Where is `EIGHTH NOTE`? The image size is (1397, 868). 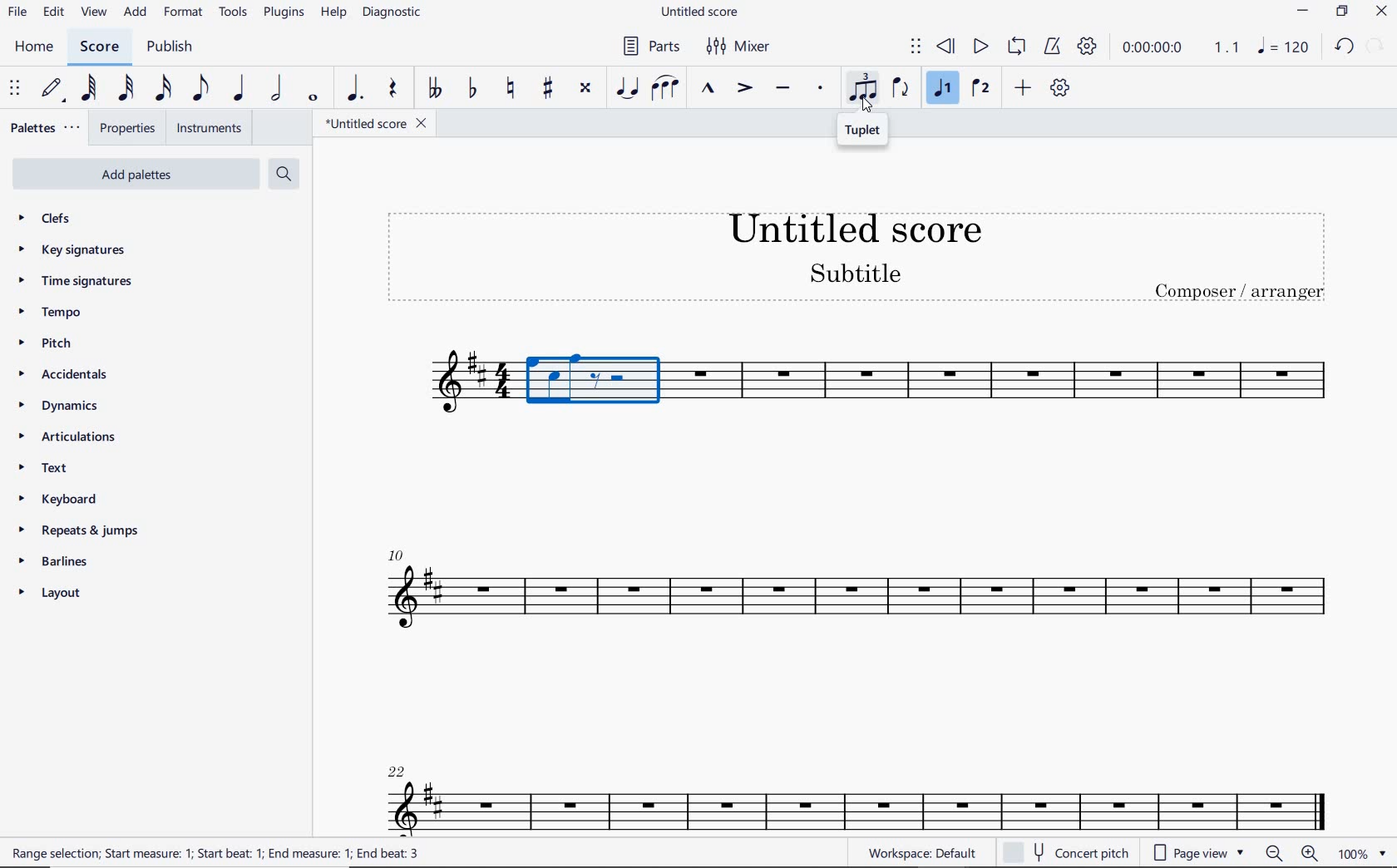 EIGHTH NOTE is located at coordinates (200, 87).